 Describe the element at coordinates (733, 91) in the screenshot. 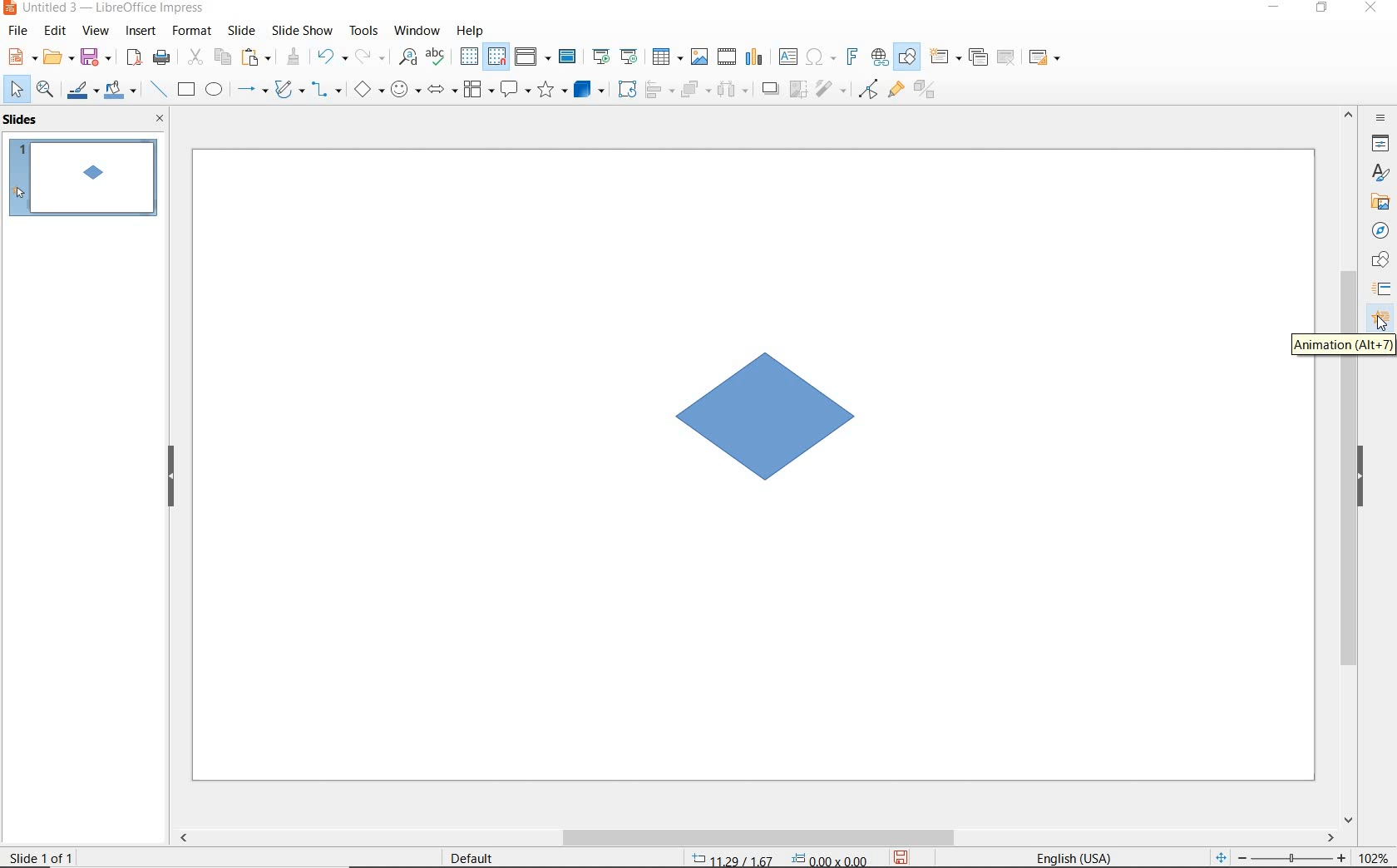

I see `objects to distribute` at that location.